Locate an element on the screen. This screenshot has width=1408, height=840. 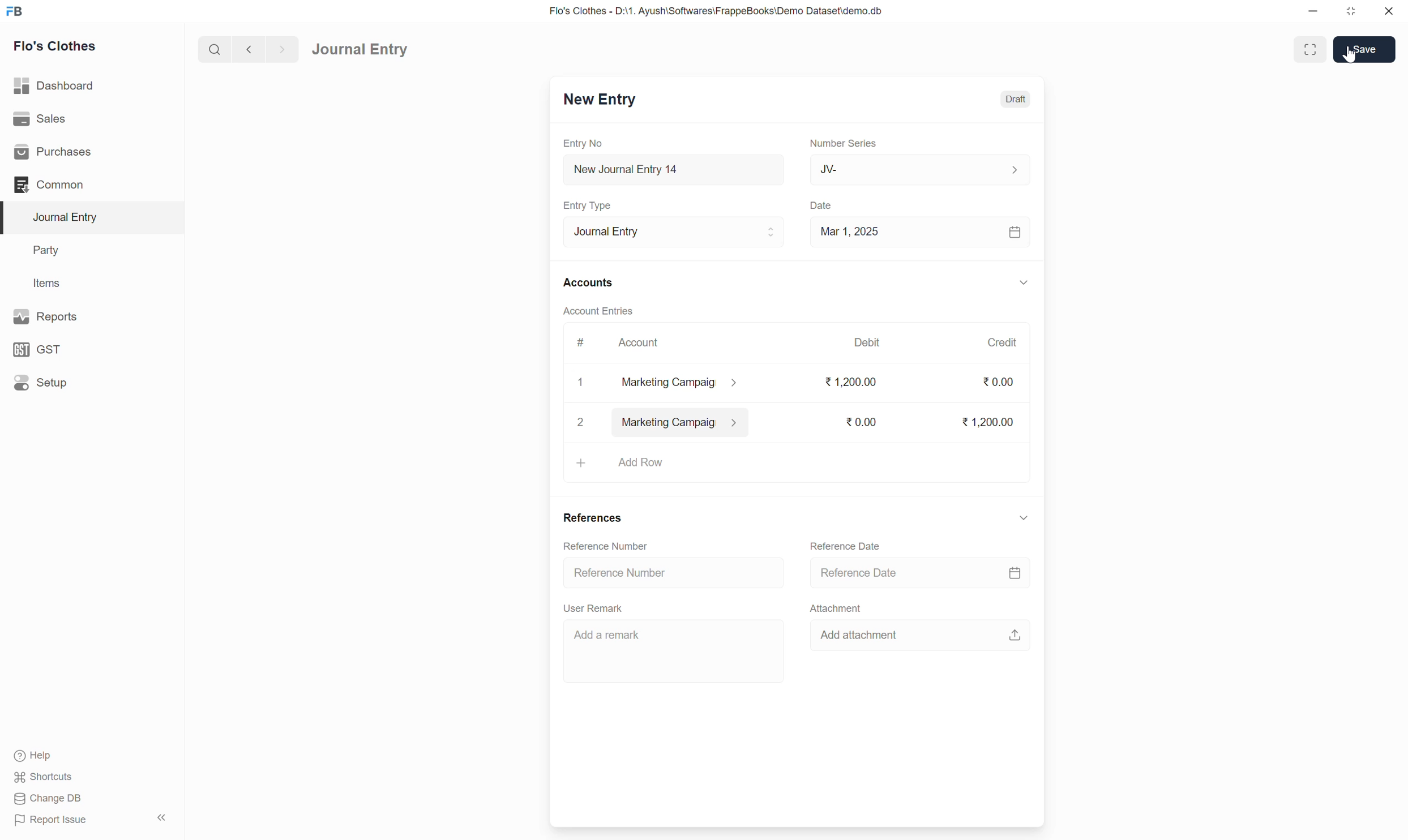
cursor is located at coordinates (1350, 57).